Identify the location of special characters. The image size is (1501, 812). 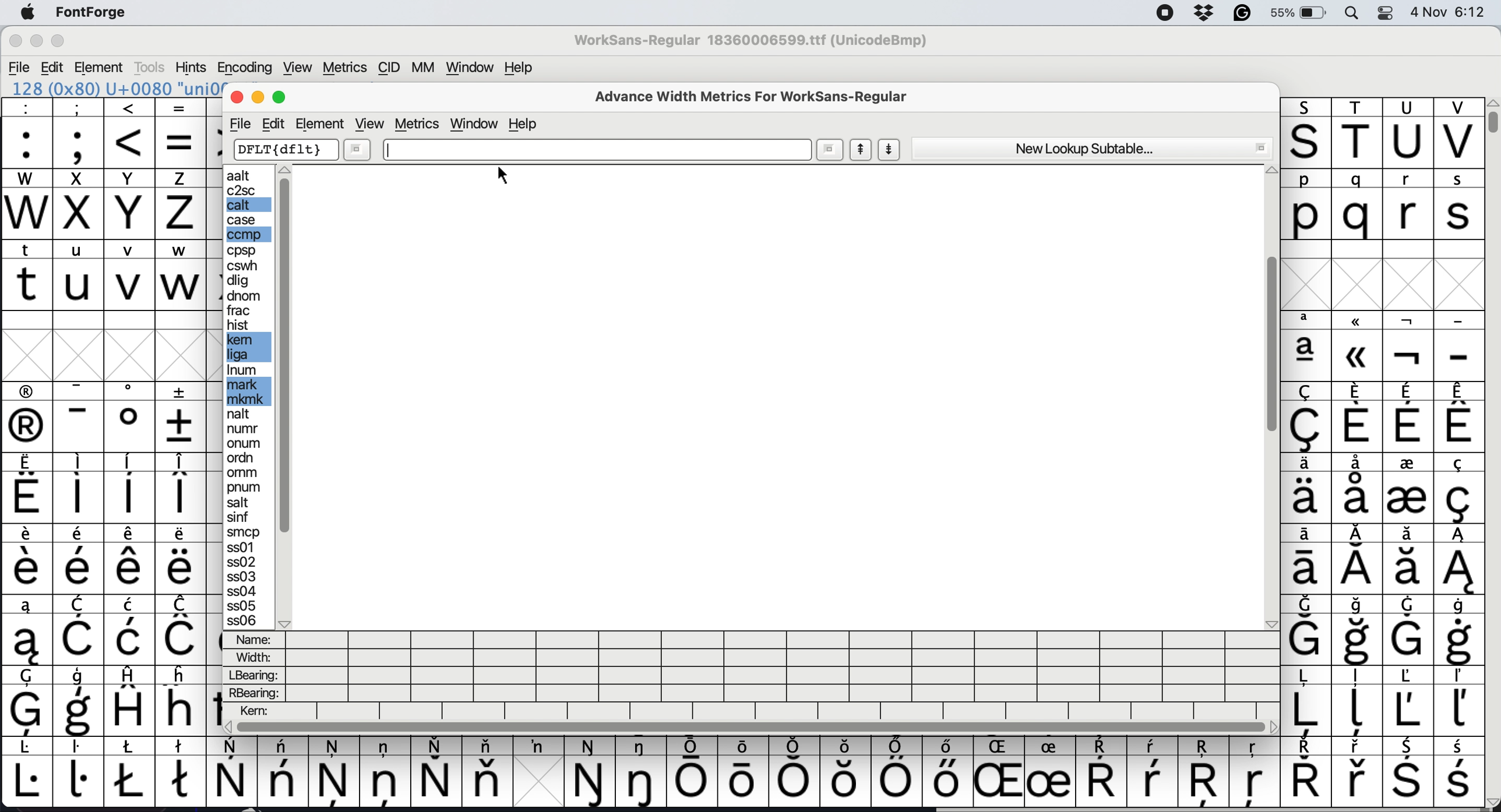
(1383, 677).